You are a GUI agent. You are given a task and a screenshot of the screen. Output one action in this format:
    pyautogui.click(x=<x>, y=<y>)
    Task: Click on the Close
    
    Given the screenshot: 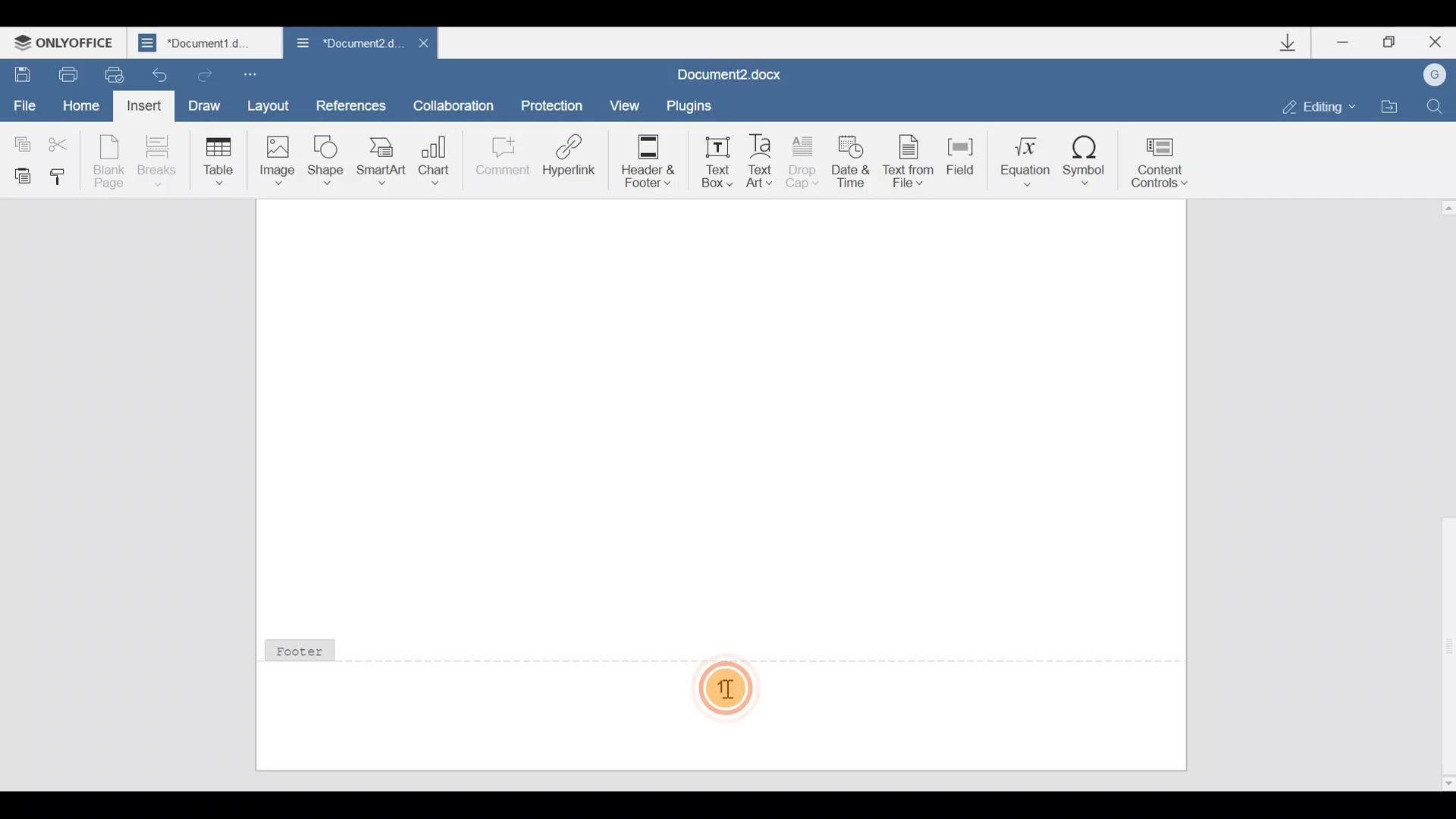 What is the action you would take?
    pyautogui.click(x=1435, y=42)
    